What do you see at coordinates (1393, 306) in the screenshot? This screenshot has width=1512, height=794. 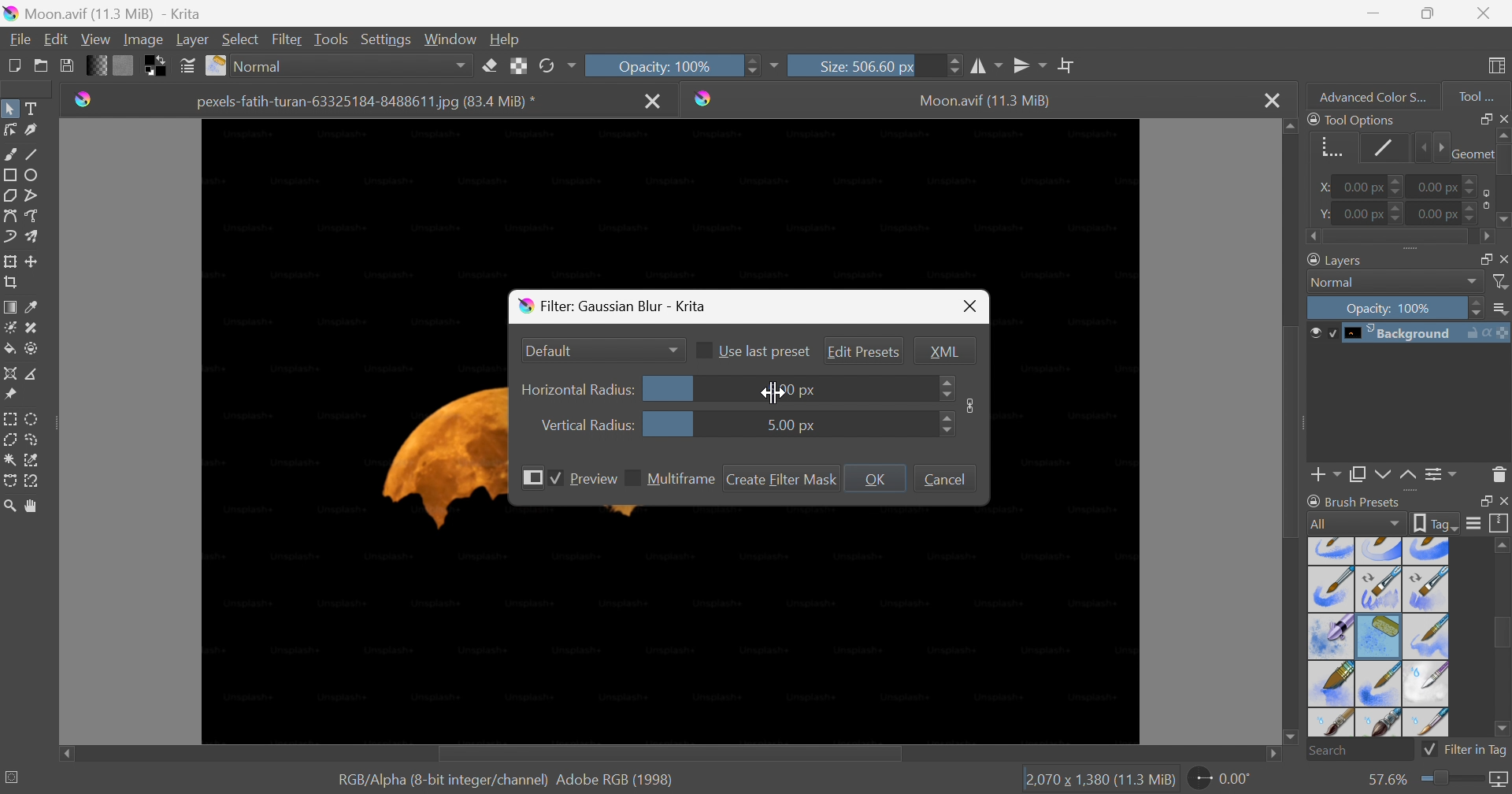 I see `Opacity: 100%` at bounding box center [1393, 306].